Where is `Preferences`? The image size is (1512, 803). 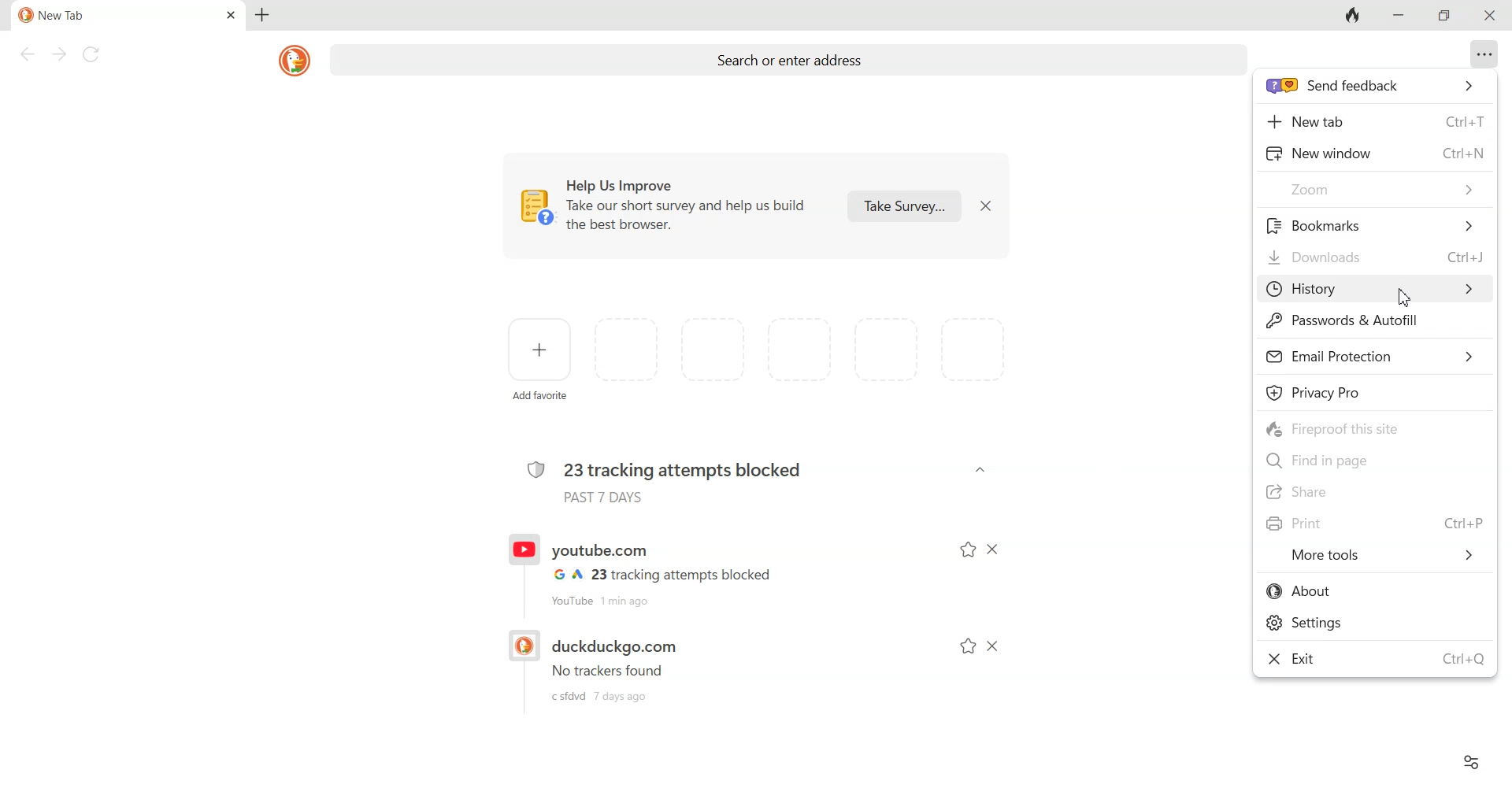
Preferences is located at coordinates (1470, 761).